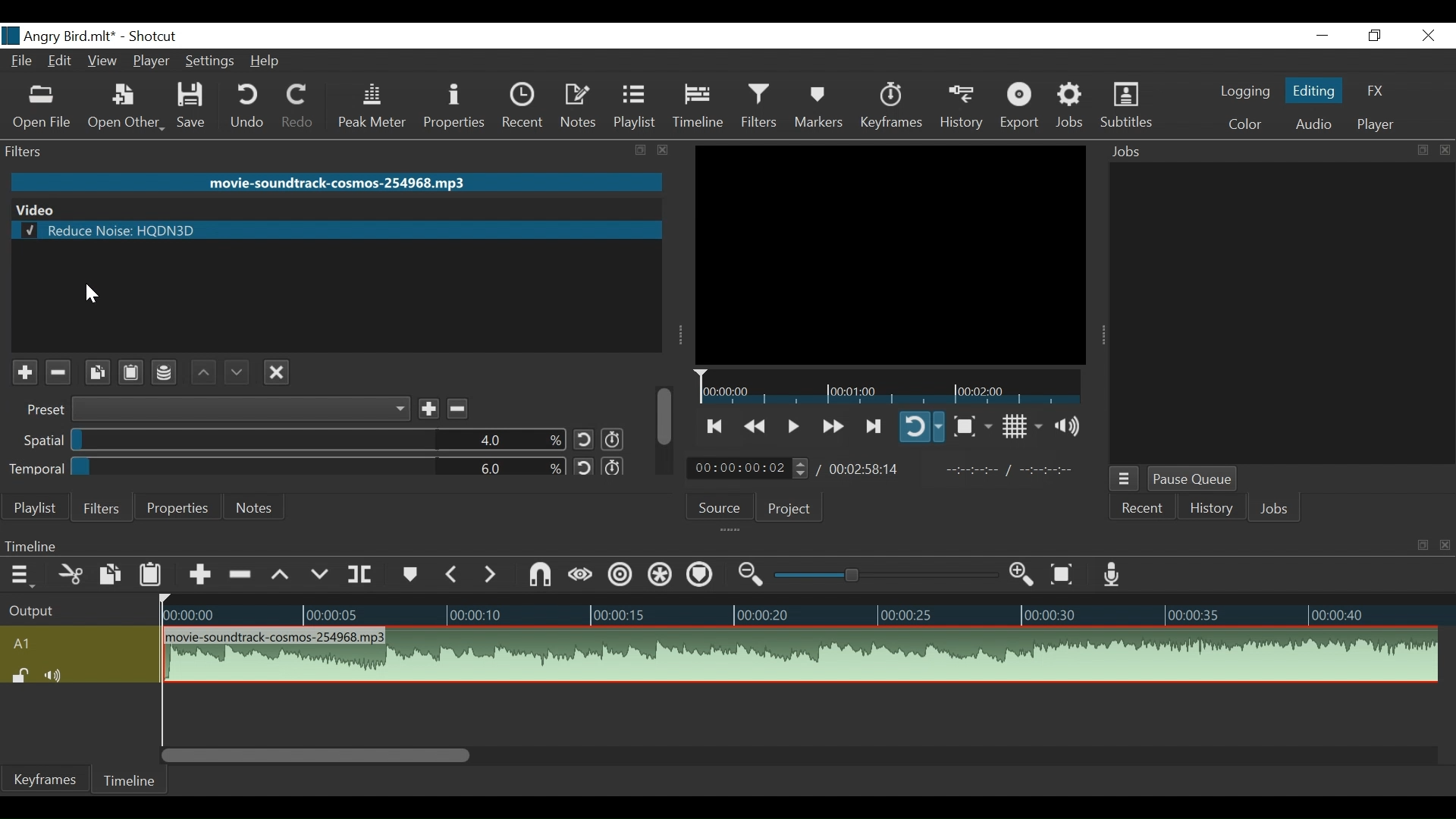  Describe the element at coordinates (525, 105) in the screenshot. I see `Recent` at that location.